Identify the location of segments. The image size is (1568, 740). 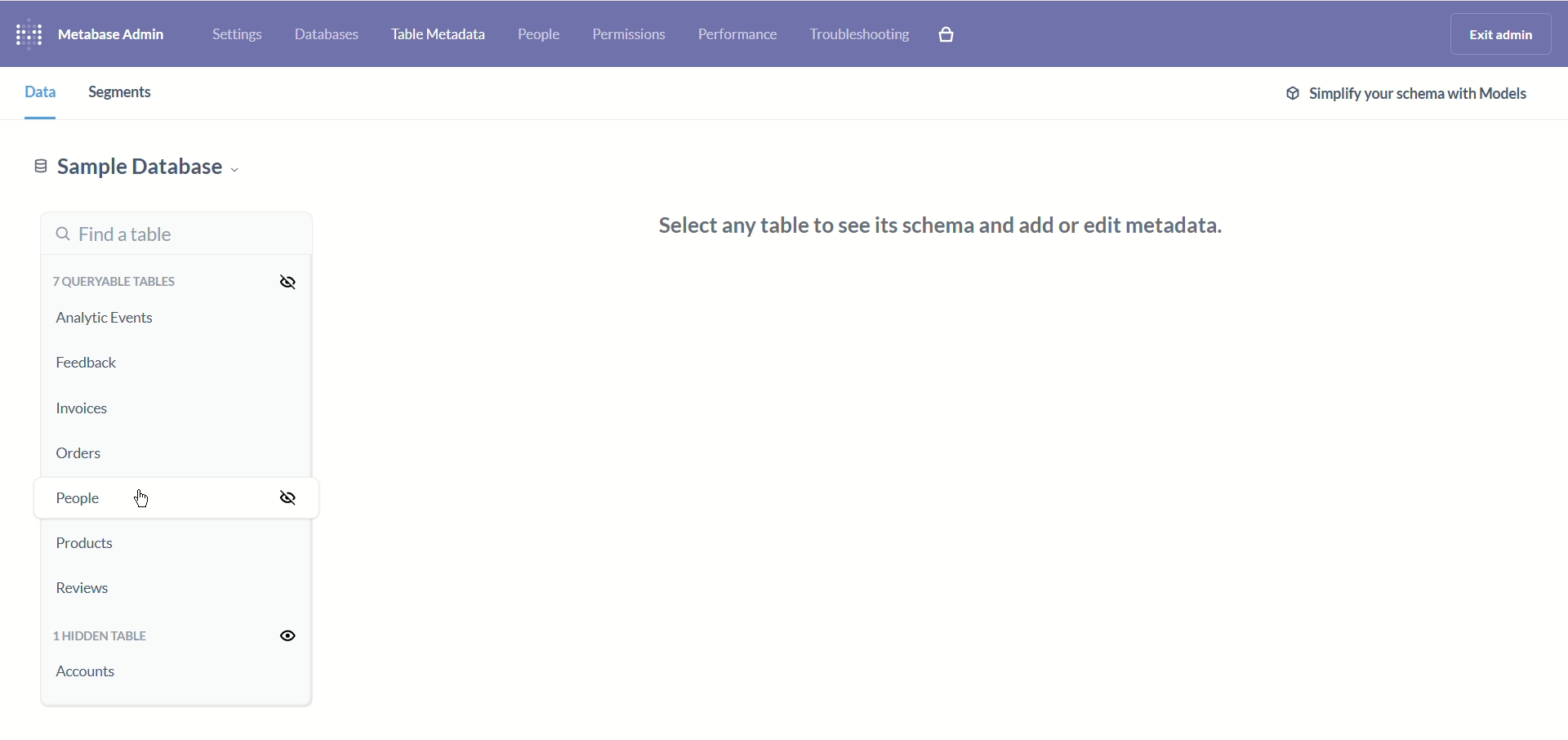
(129, 93).